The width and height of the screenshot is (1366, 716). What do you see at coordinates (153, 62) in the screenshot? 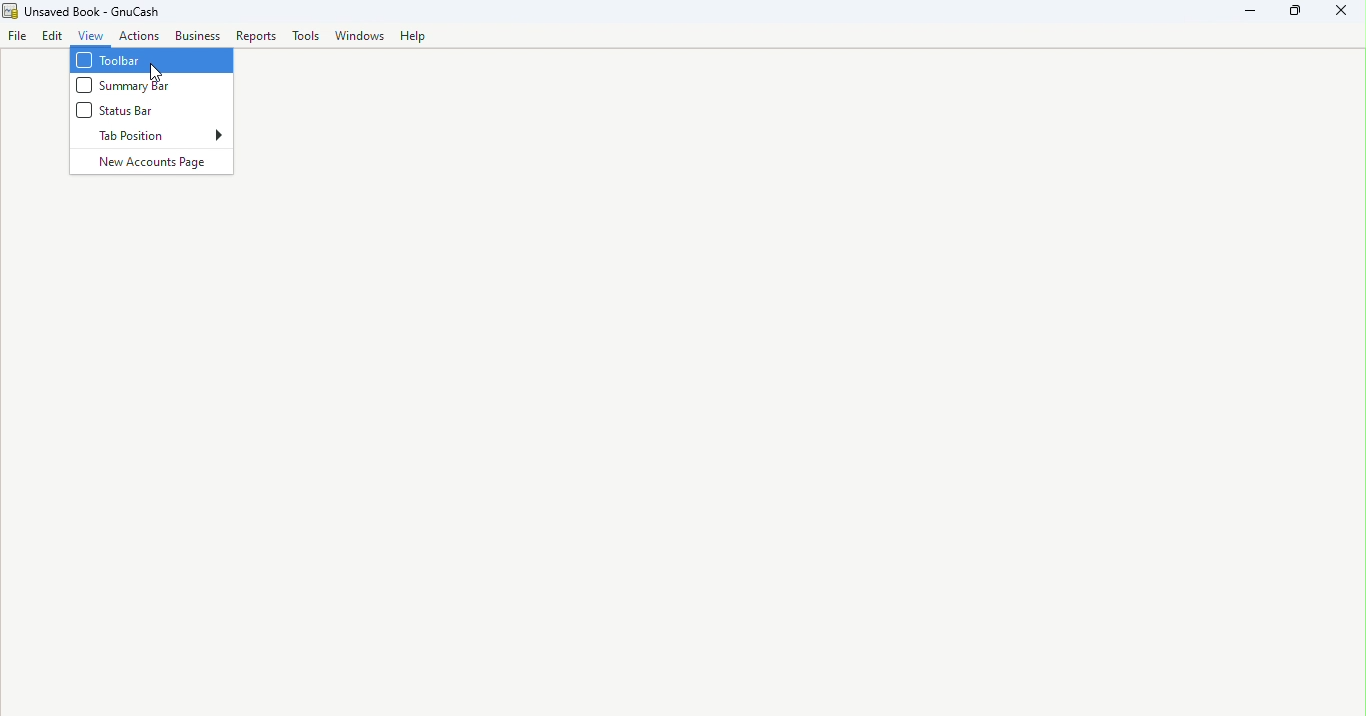
I see `Toolbar` at bounding box center [153, 62].